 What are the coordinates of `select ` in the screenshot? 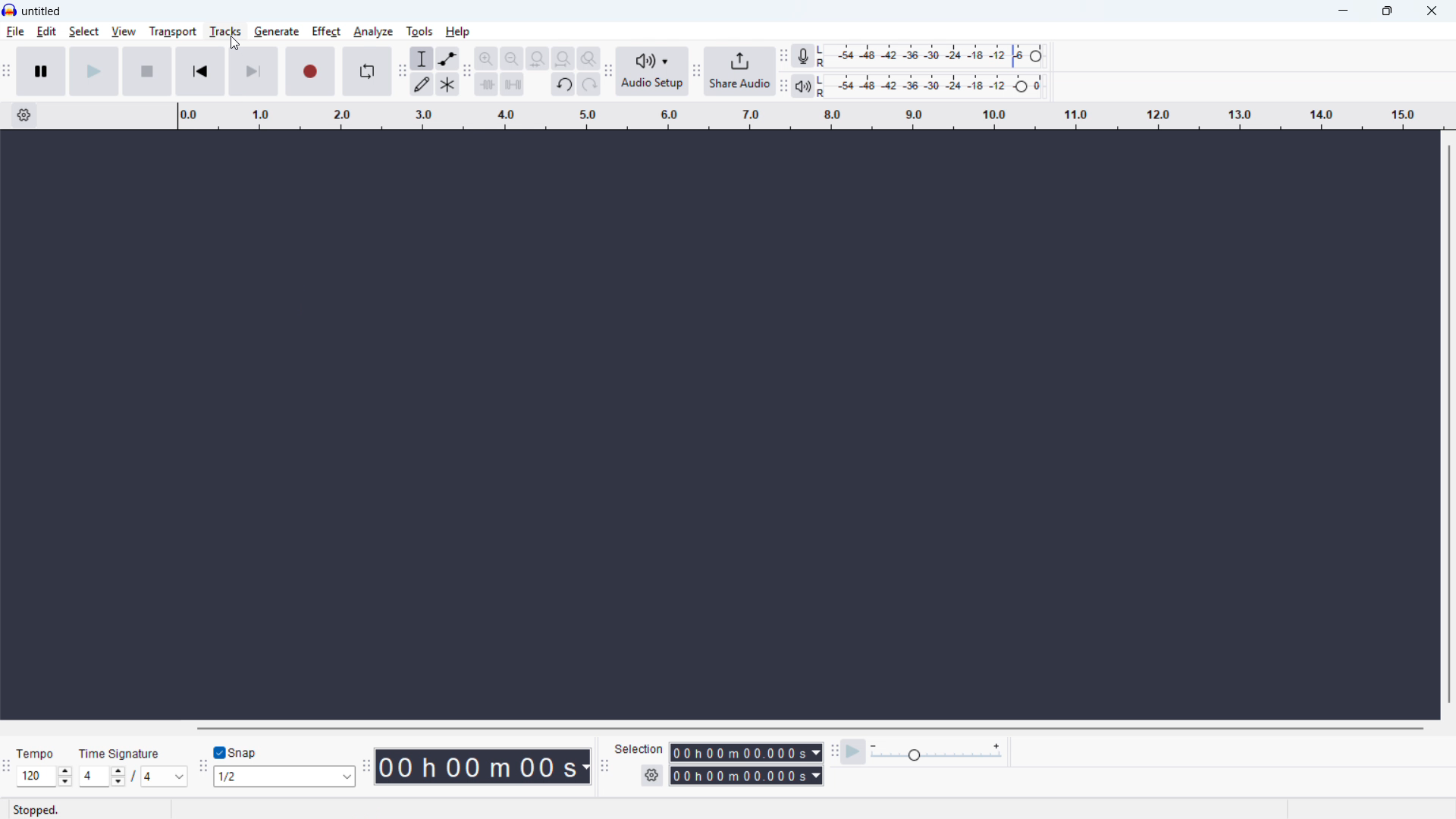 It's located at (84, 32).